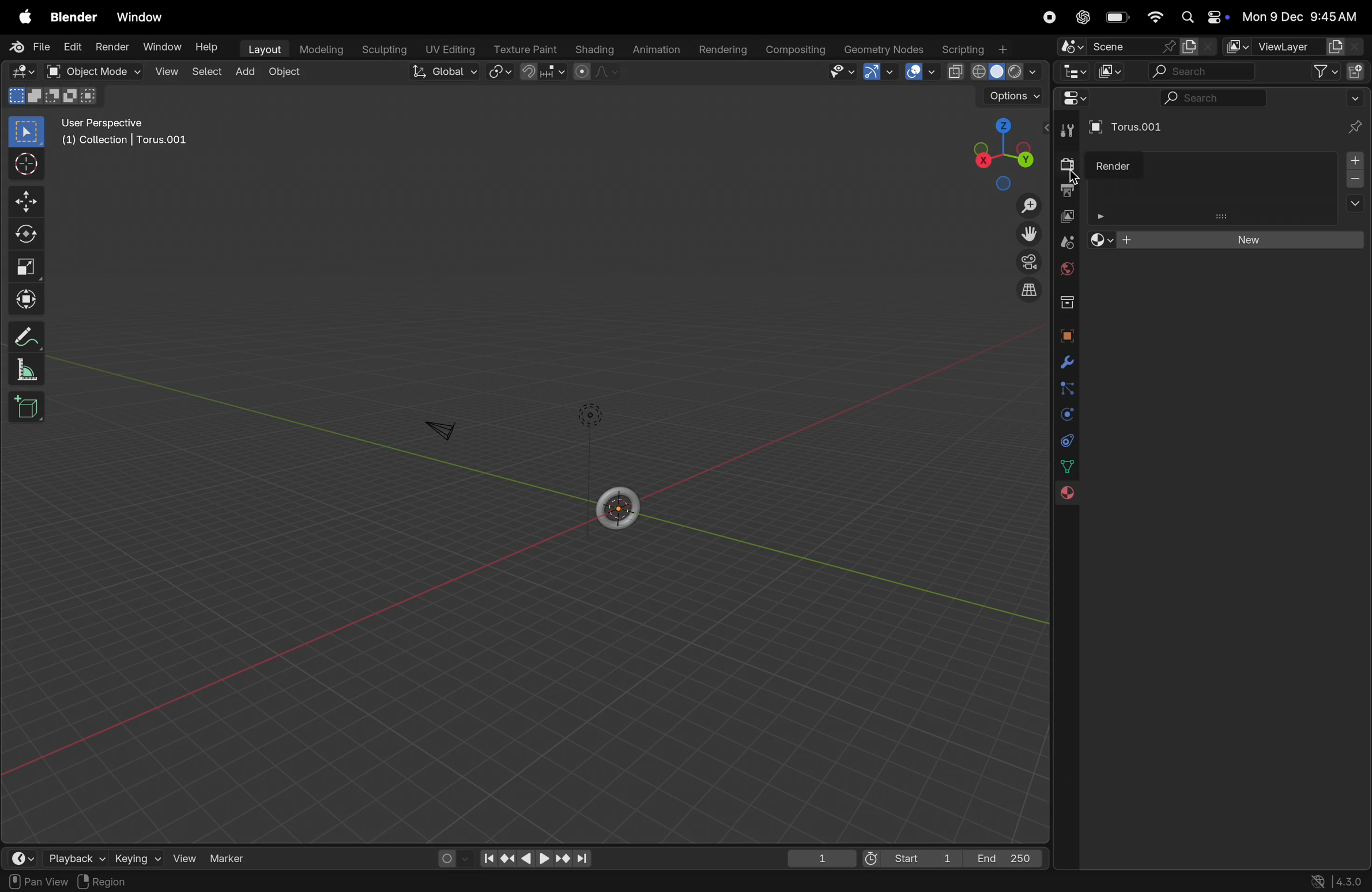  What do you see at coordinates (1066, 468) in the screenshot?
I see `data` at bounding box center [1066, 468].